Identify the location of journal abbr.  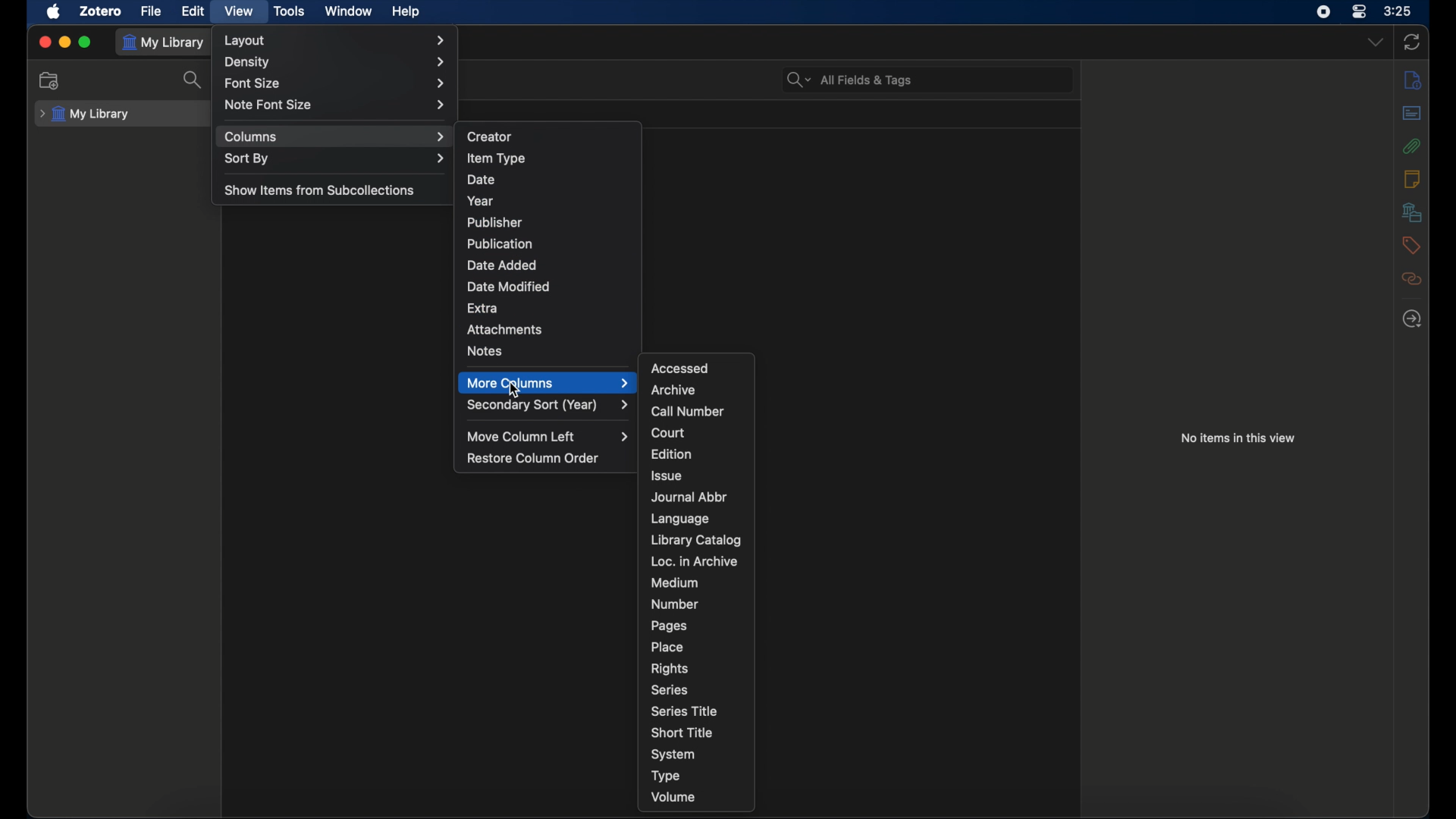
(688, 497).